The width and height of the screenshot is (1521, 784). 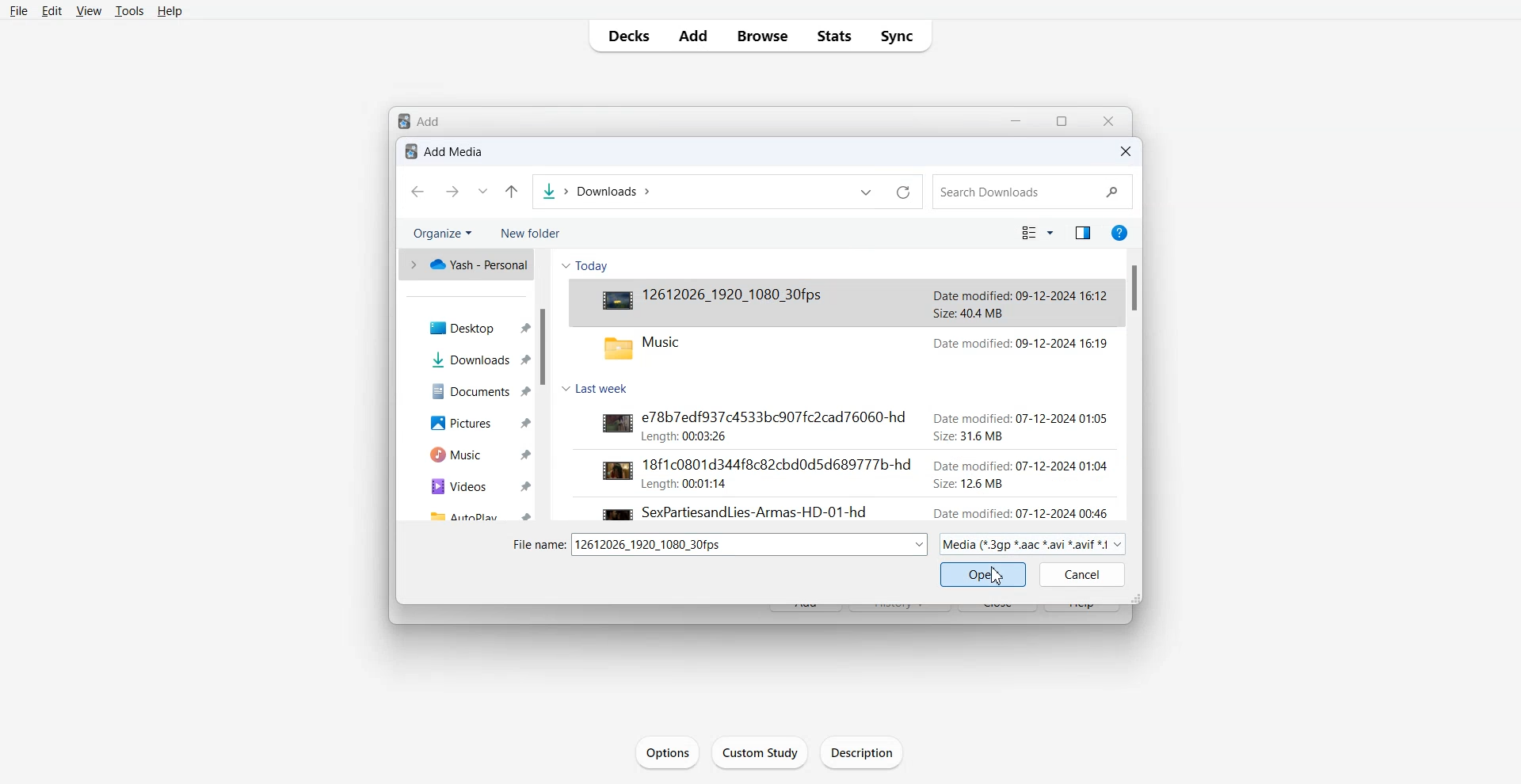 I want to click on Browse, so click(x=764, y=36).